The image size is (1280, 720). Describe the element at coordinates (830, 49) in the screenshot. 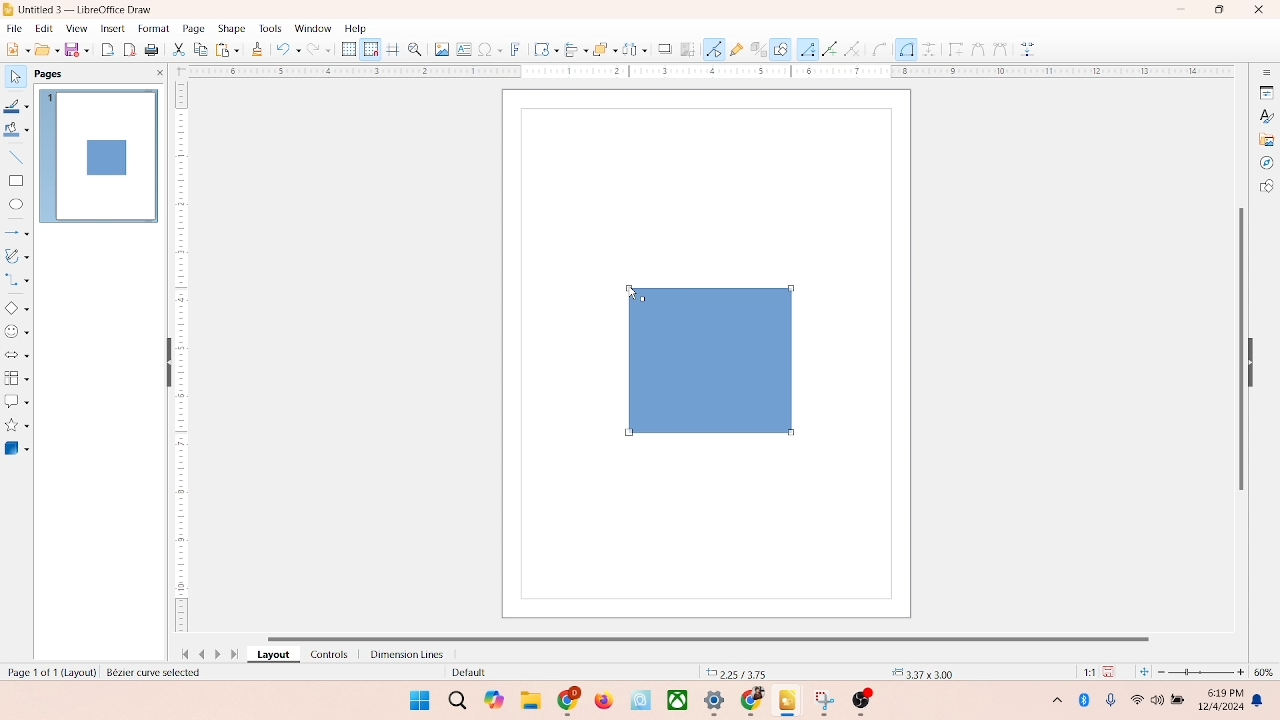

I see `Freeform line tool` at that location.